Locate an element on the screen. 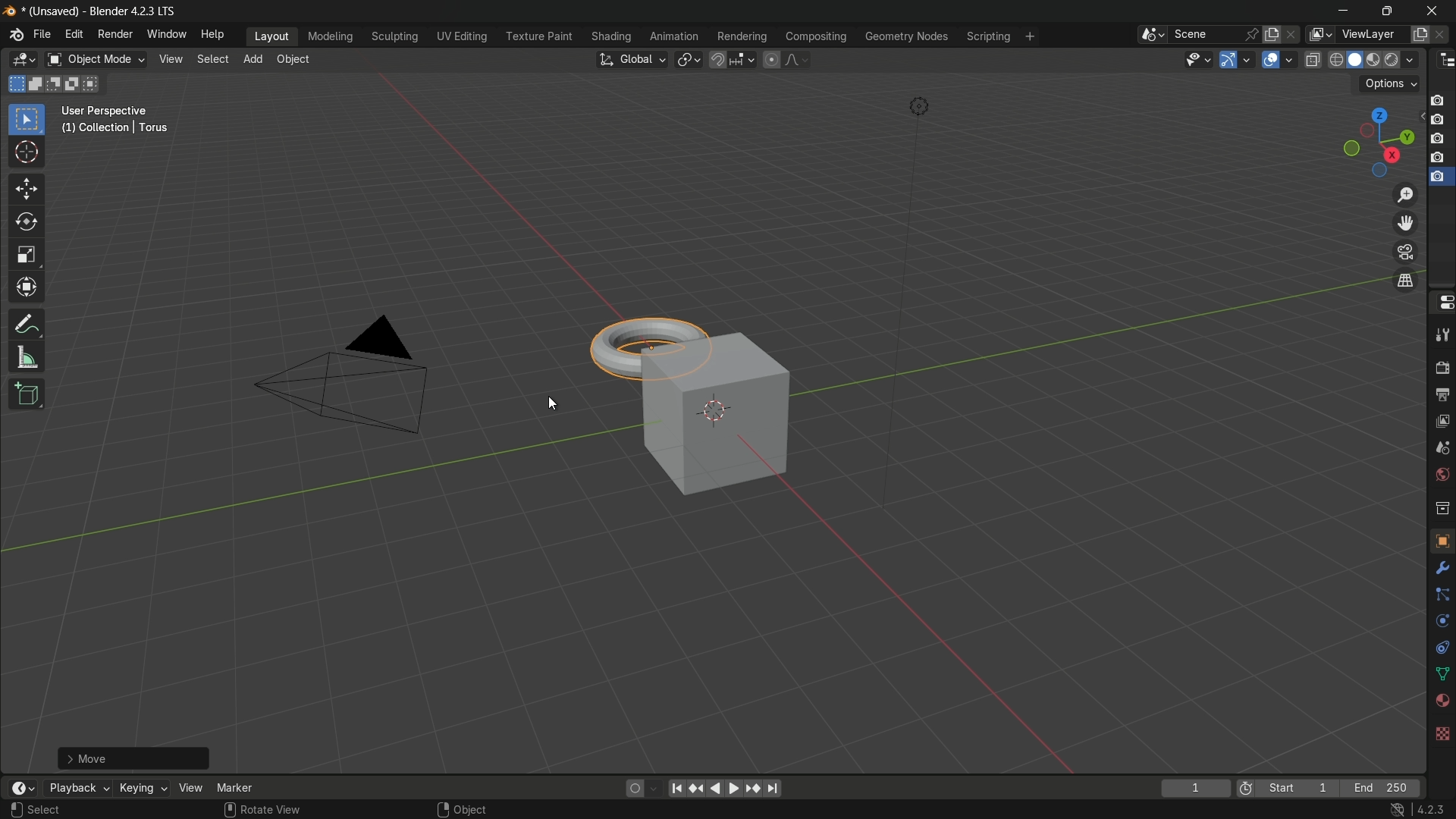  close app is located at coordinates (1436, 11).